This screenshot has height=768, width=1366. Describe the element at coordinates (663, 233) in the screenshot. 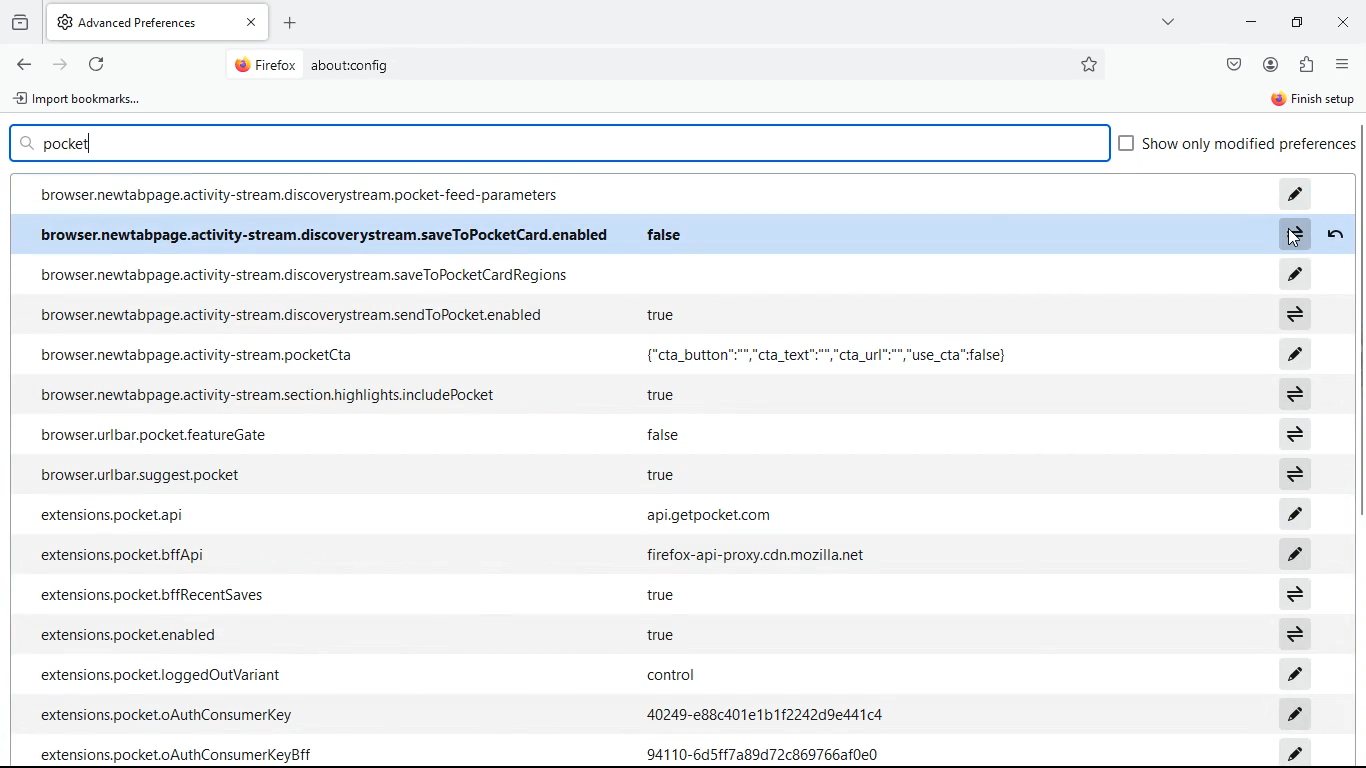

I see `false` at that location.